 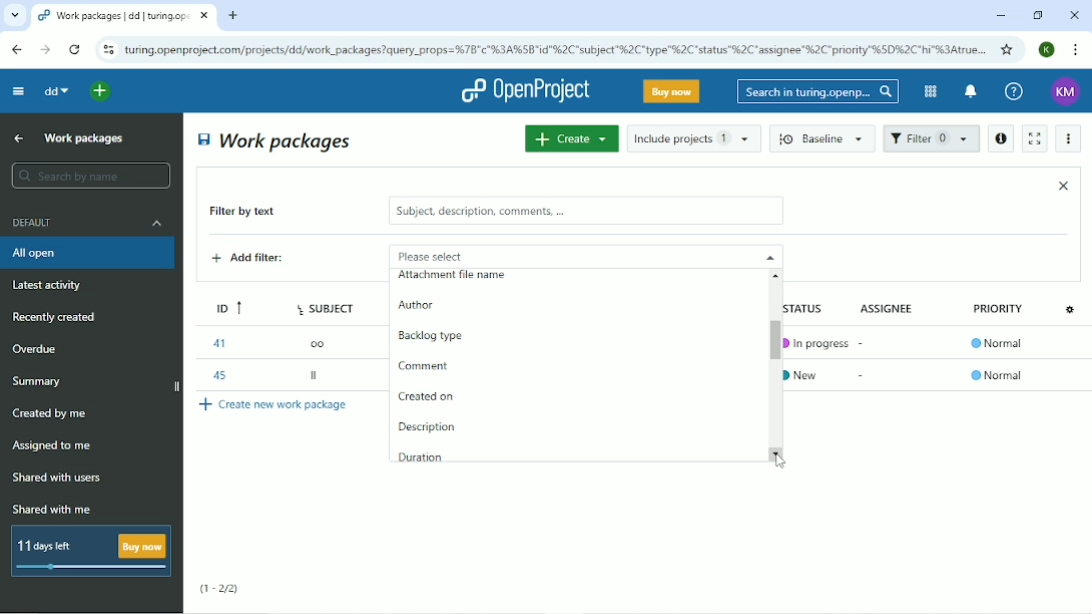 What do you see at coordinates (89, 551) in the screenshot?
I see `11 days left buy now` at bounding box center [89, 551].